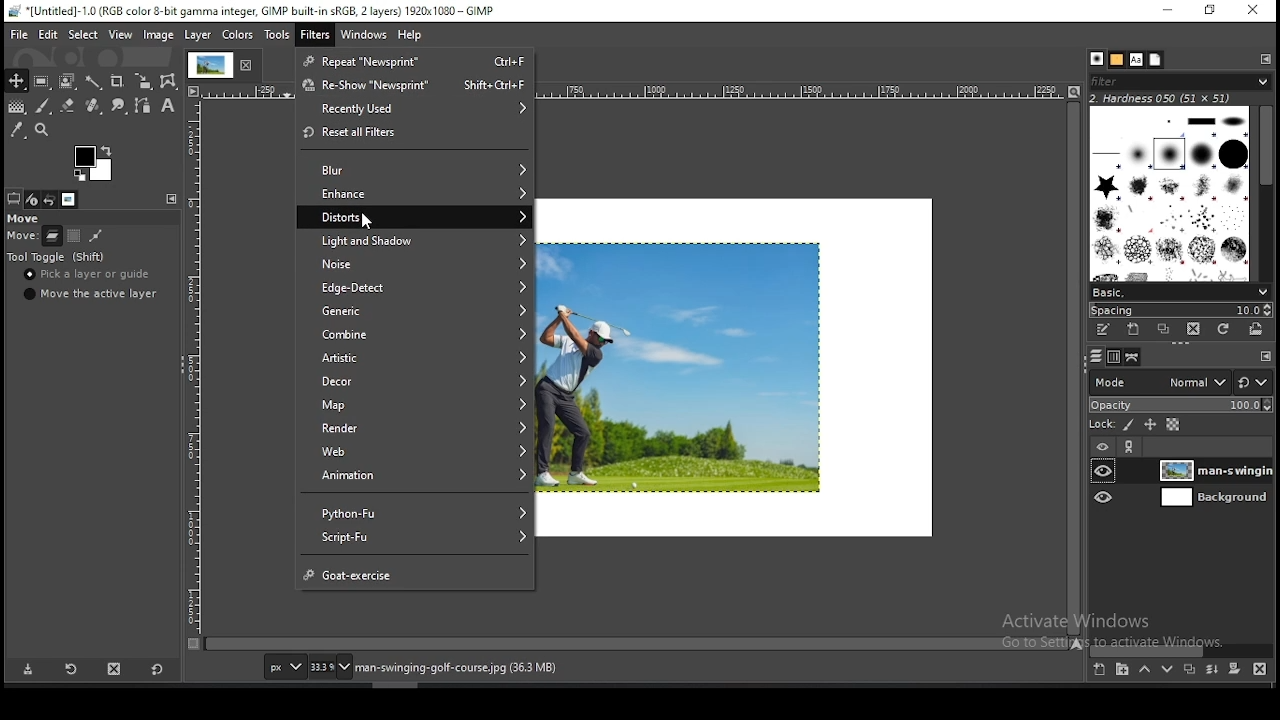  What do you see at coordinates (1134, 330) in the screenshot?
I see `create a new brush` at bounding box center [1134, 330].